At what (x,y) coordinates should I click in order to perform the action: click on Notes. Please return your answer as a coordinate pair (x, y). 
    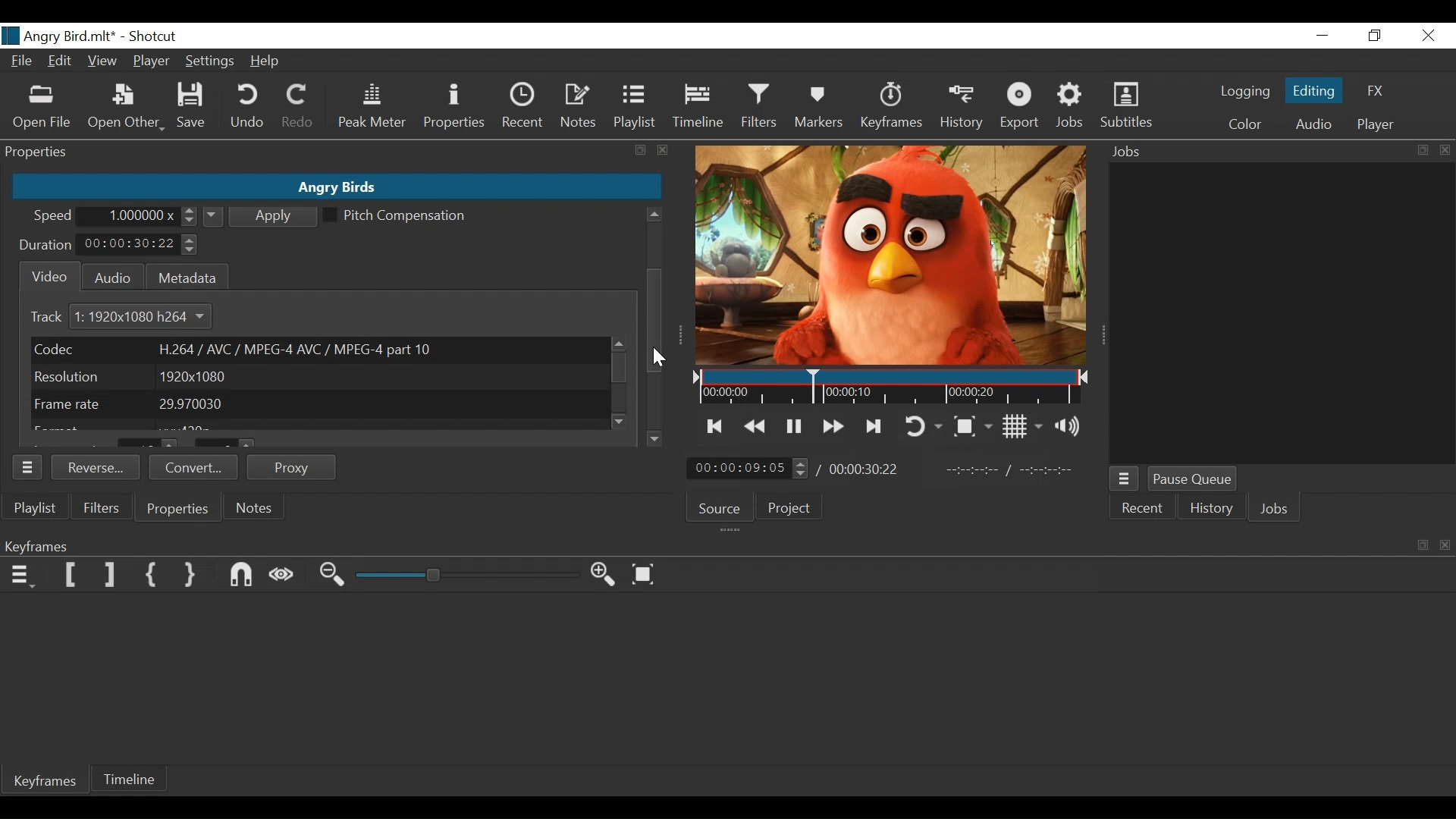
    Looking at the image, I should click on (579, 108).